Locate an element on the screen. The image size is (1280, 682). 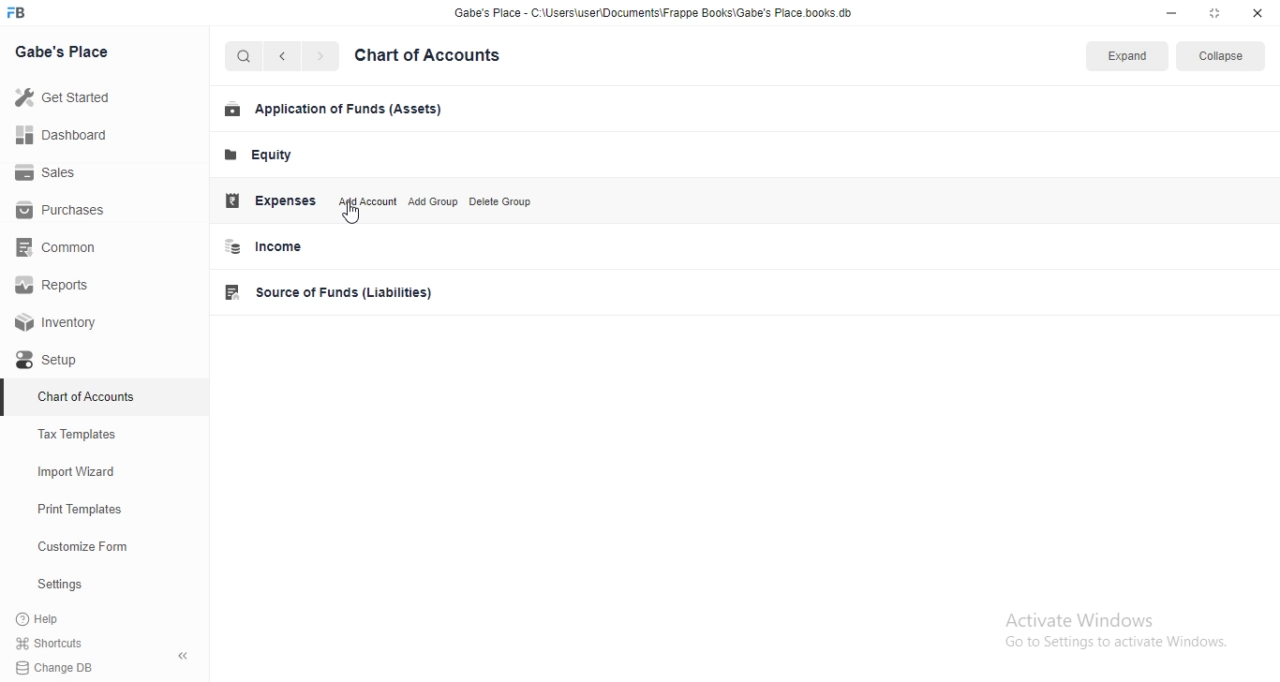
Equity is located at coordinates (269, 157).